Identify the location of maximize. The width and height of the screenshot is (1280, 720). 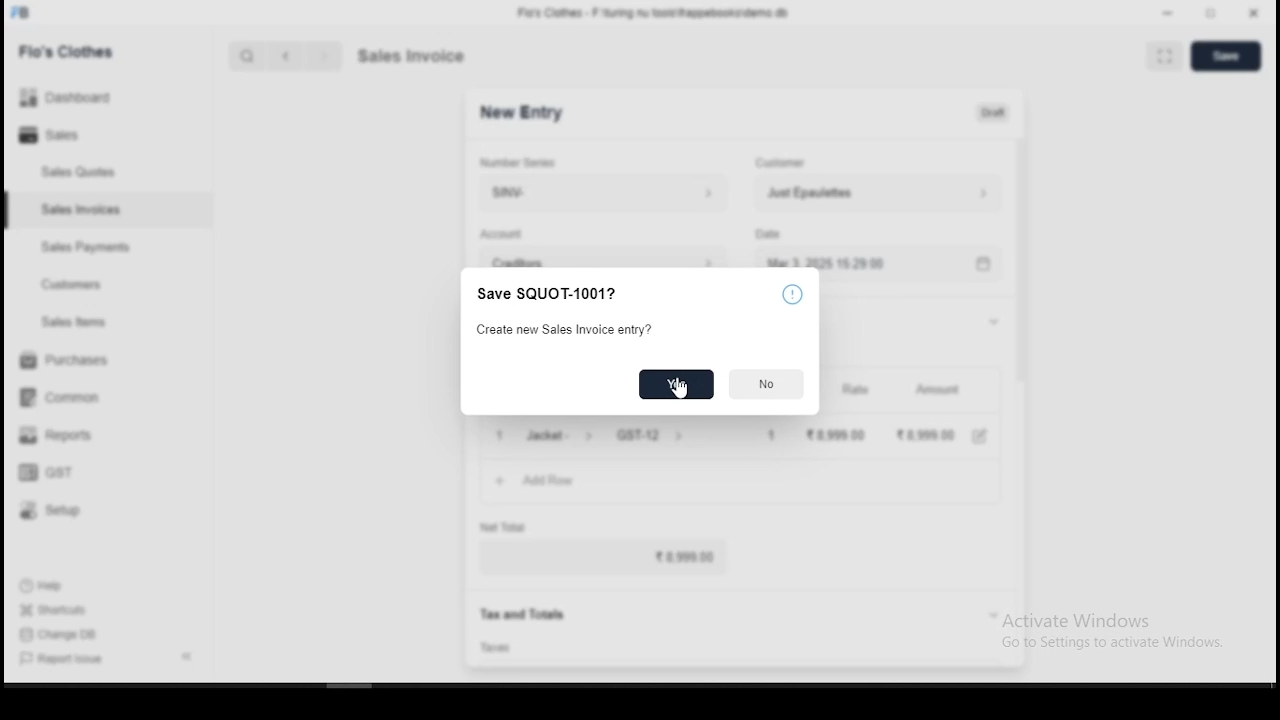
(1212, 13).